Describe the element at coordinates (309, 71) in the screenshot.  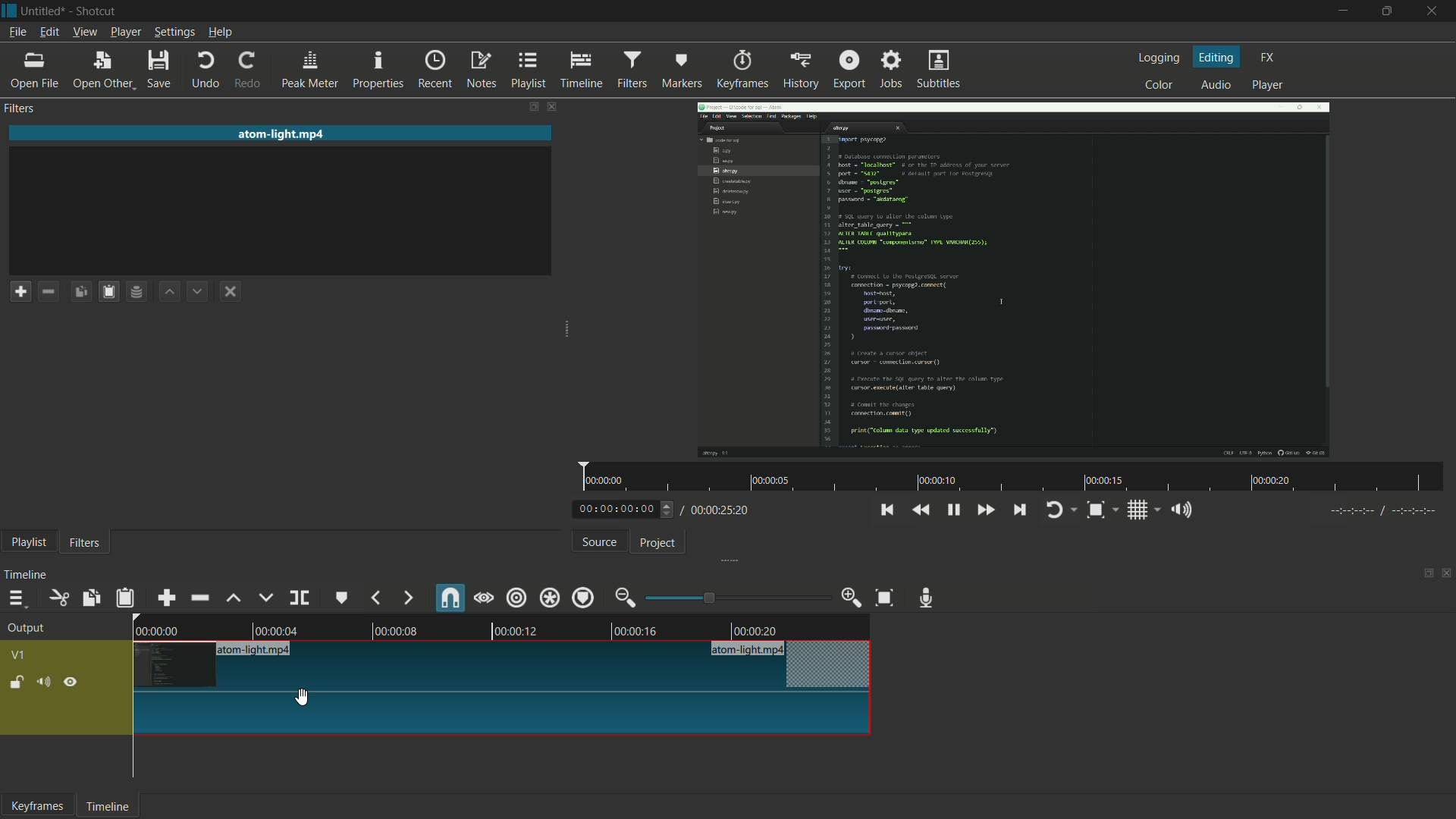
I see `peak meter` at that location.